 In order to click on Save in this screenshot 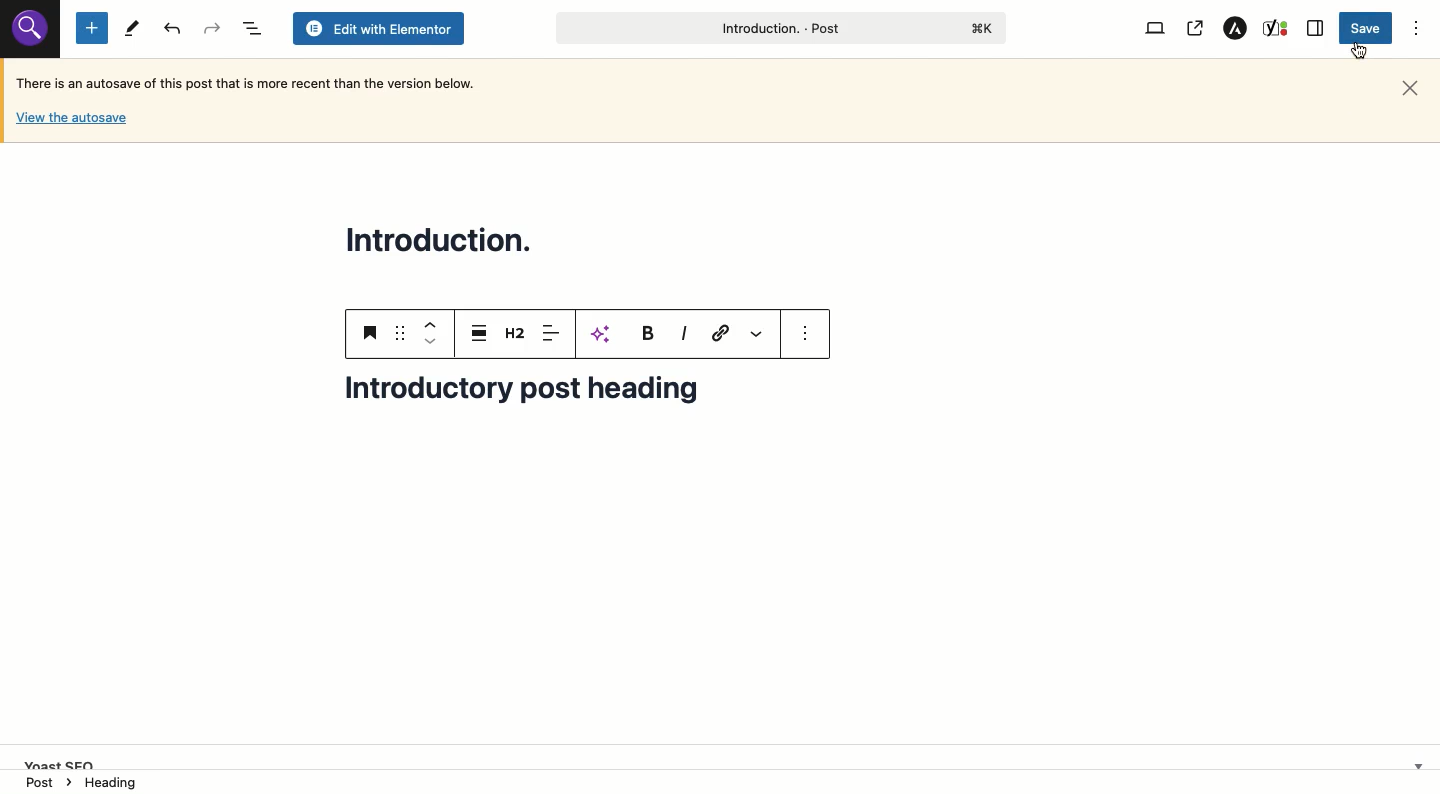, I will do `click(1368, 28)`.